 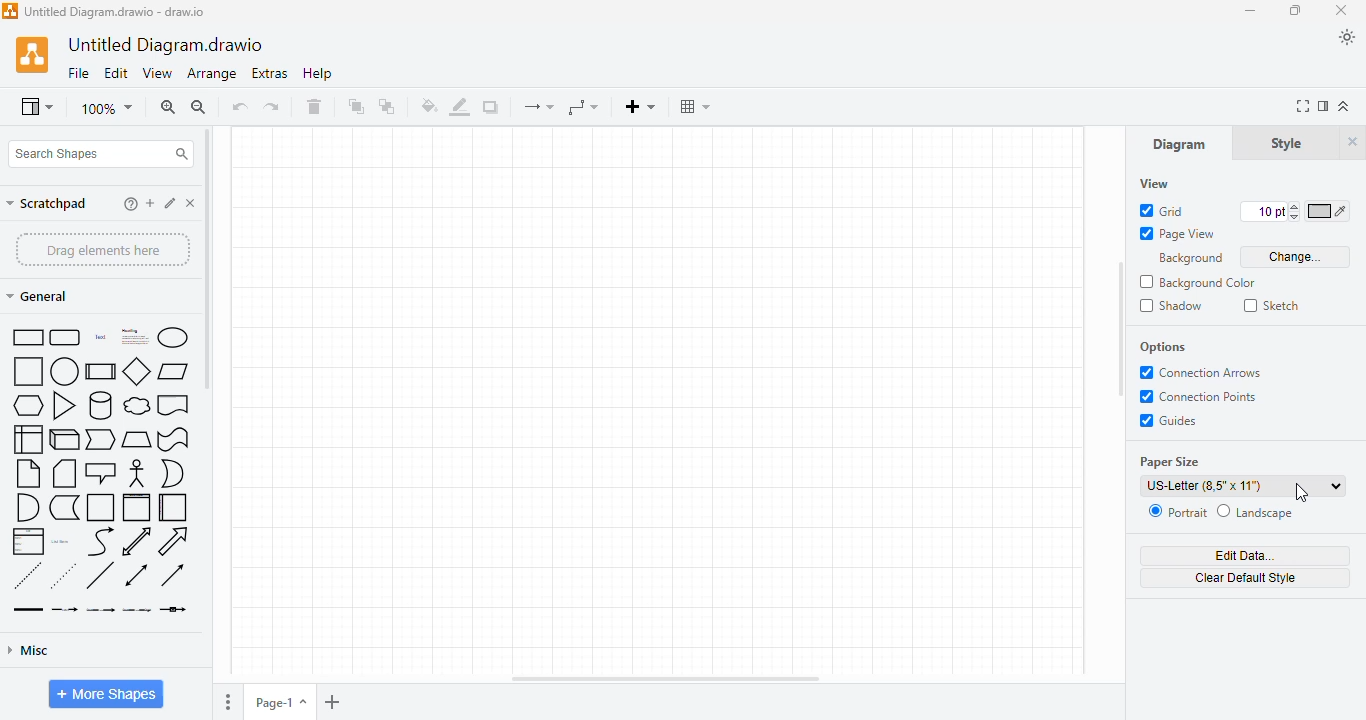 What do you see at coordinates (150, 203) in the screenshot?
I see `add` at bounding box center [150, 203].